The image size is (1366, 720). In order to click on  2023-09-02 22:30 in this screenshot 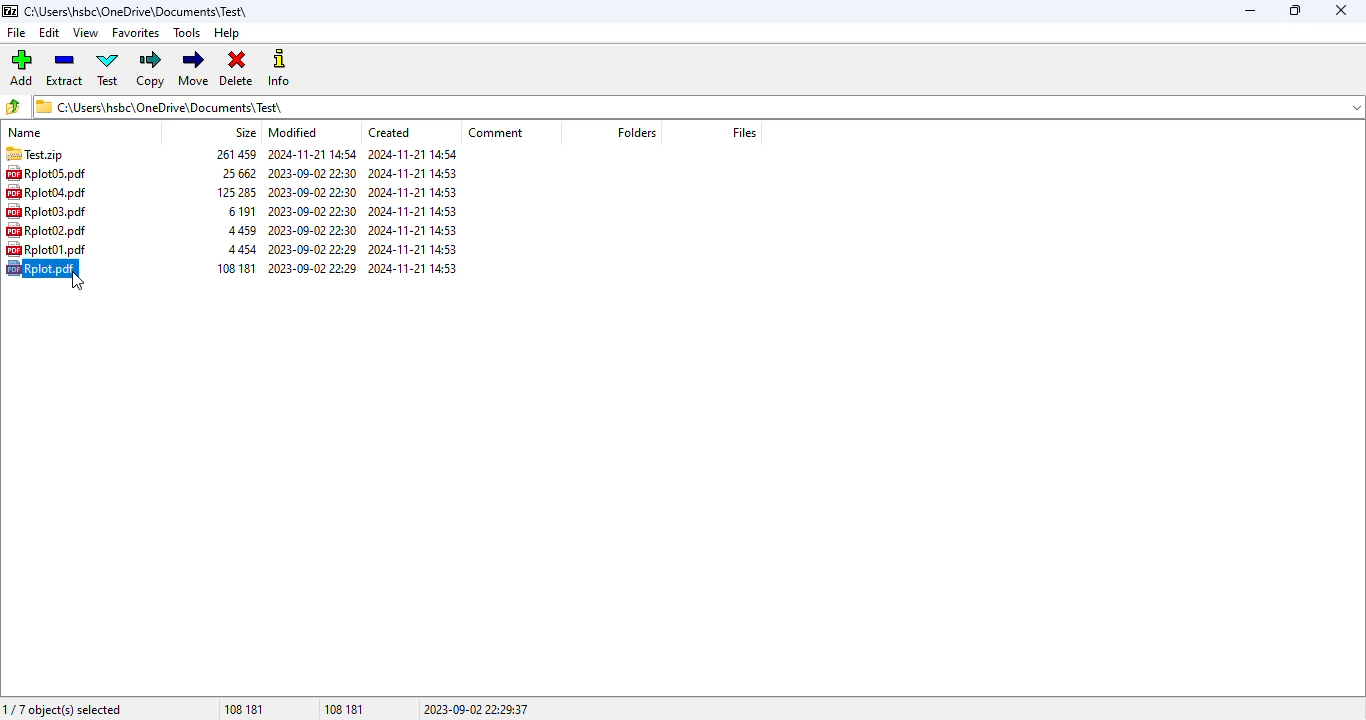, I will do `click(310, 173)`.